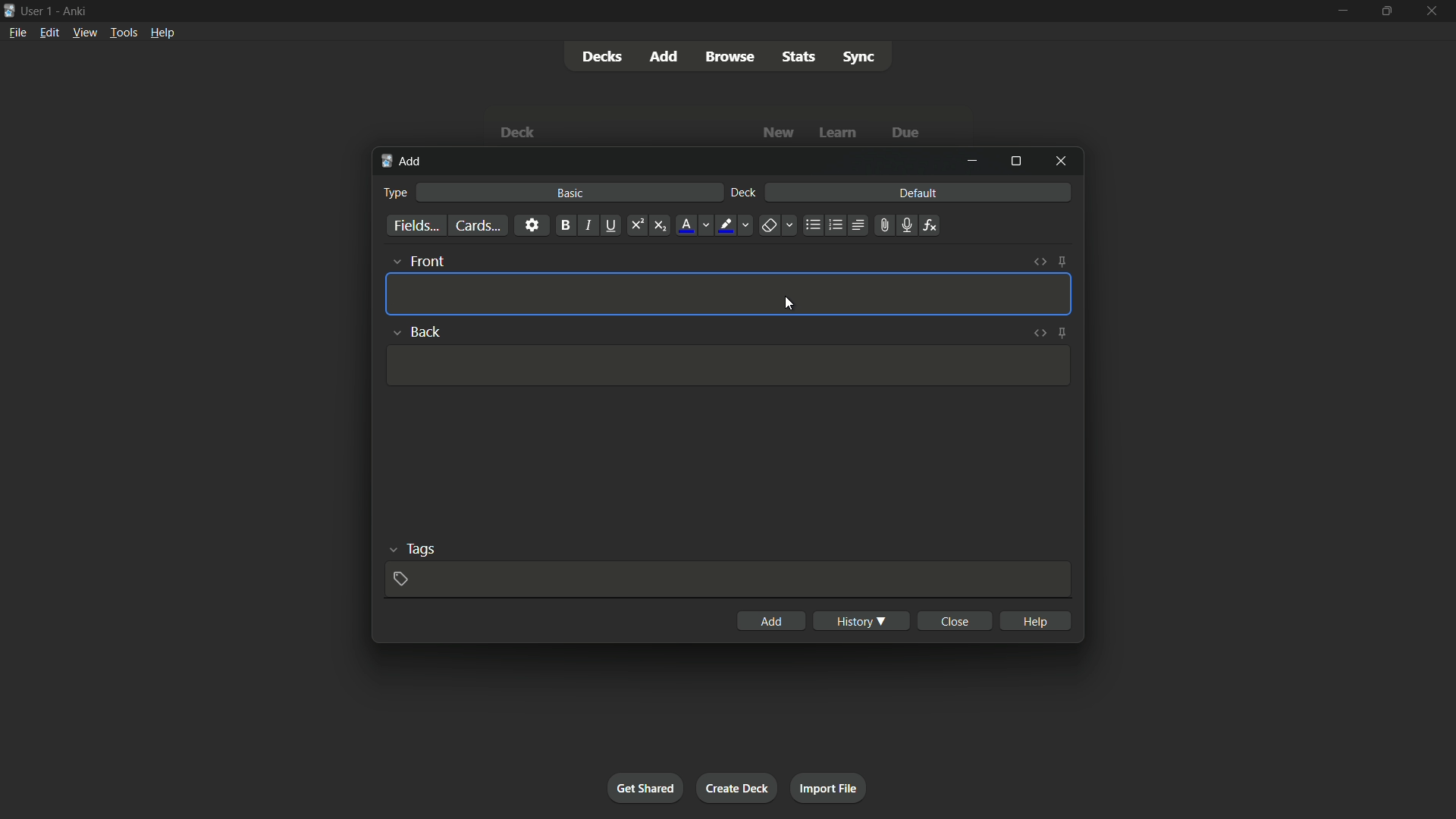 The image size is (1456, 819). What do you see at coordinates (905, 226) in the screenshot?
I see `record audio` at bounding box center [905, 226].